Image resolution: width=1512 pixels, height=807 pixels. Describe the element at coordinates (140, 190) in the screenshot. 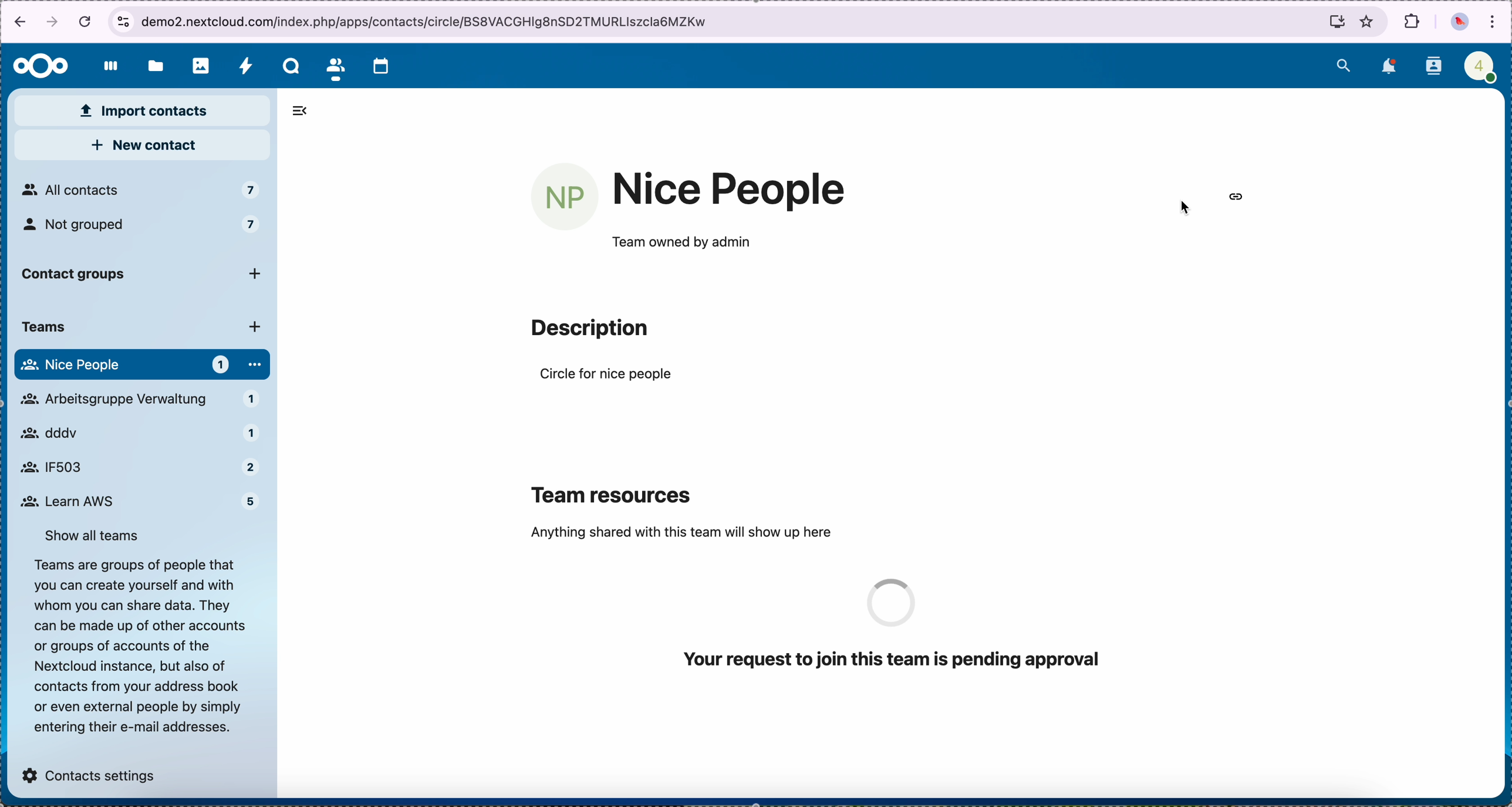

I see `all contacts` at that location.